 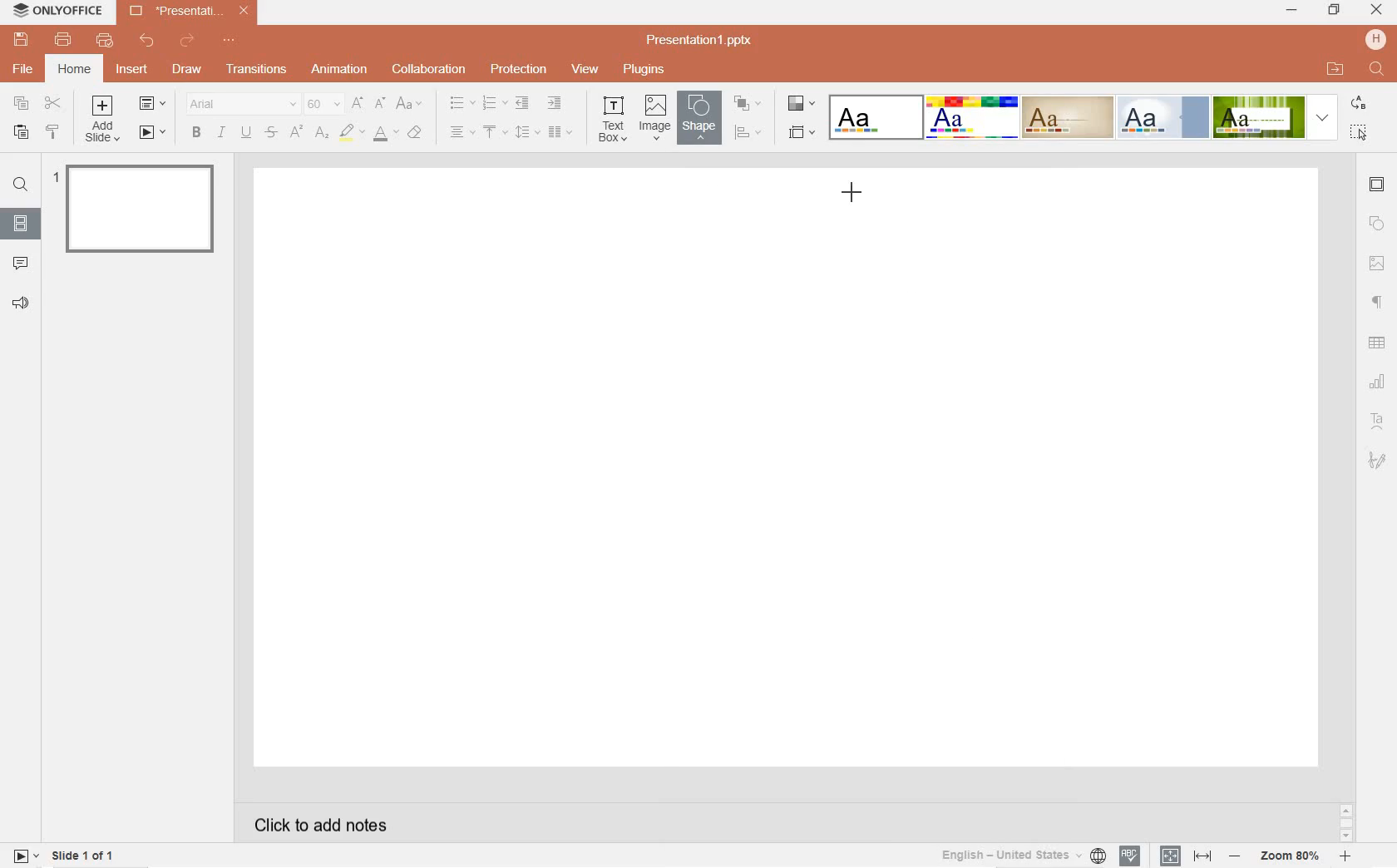 What do you see at coordinates (254, 70) in the screenshot?
I see `transitions` at bounding box center [254, 70].